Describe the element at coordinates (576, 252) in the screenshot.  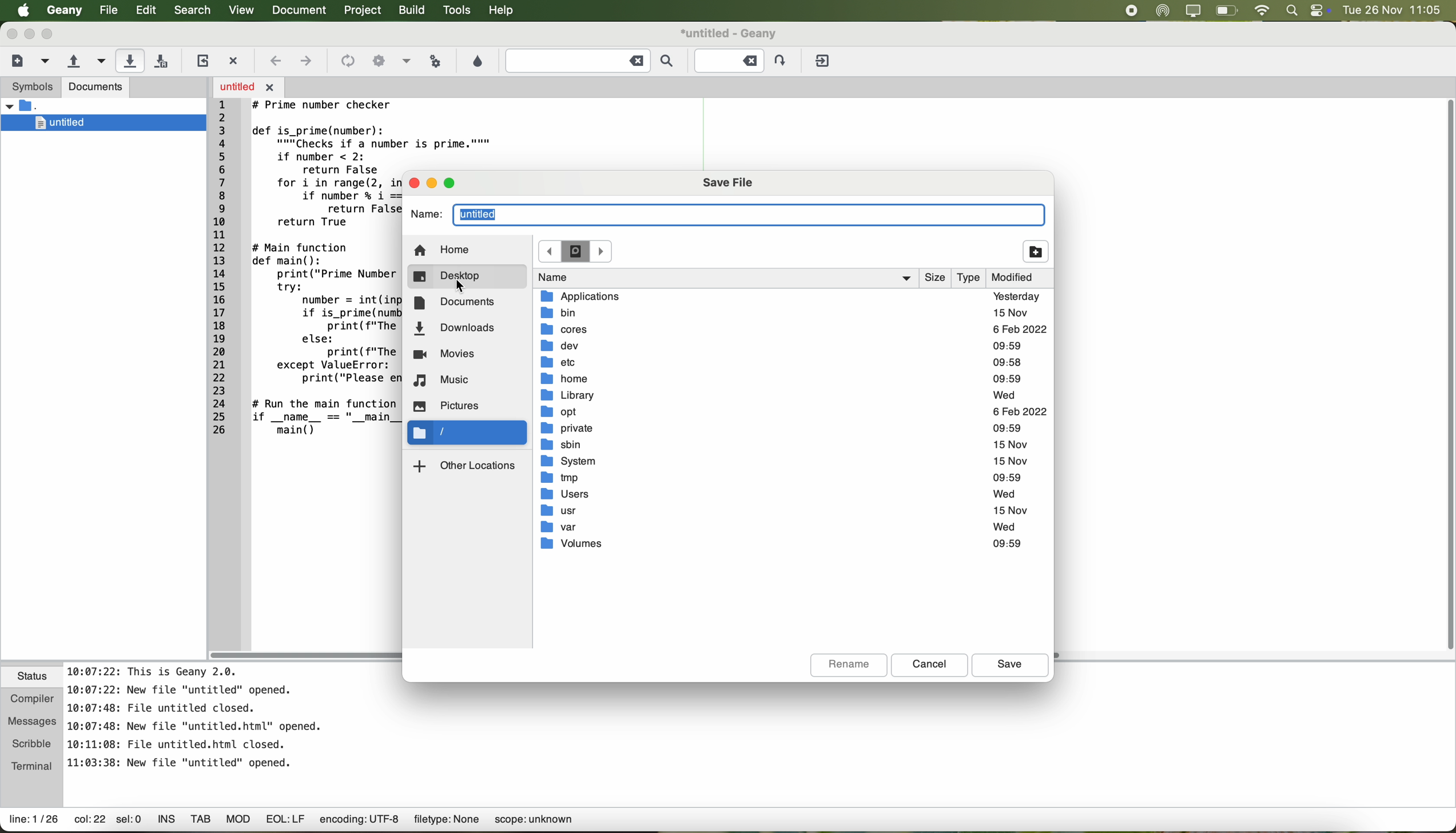
I see `icon` at that location.